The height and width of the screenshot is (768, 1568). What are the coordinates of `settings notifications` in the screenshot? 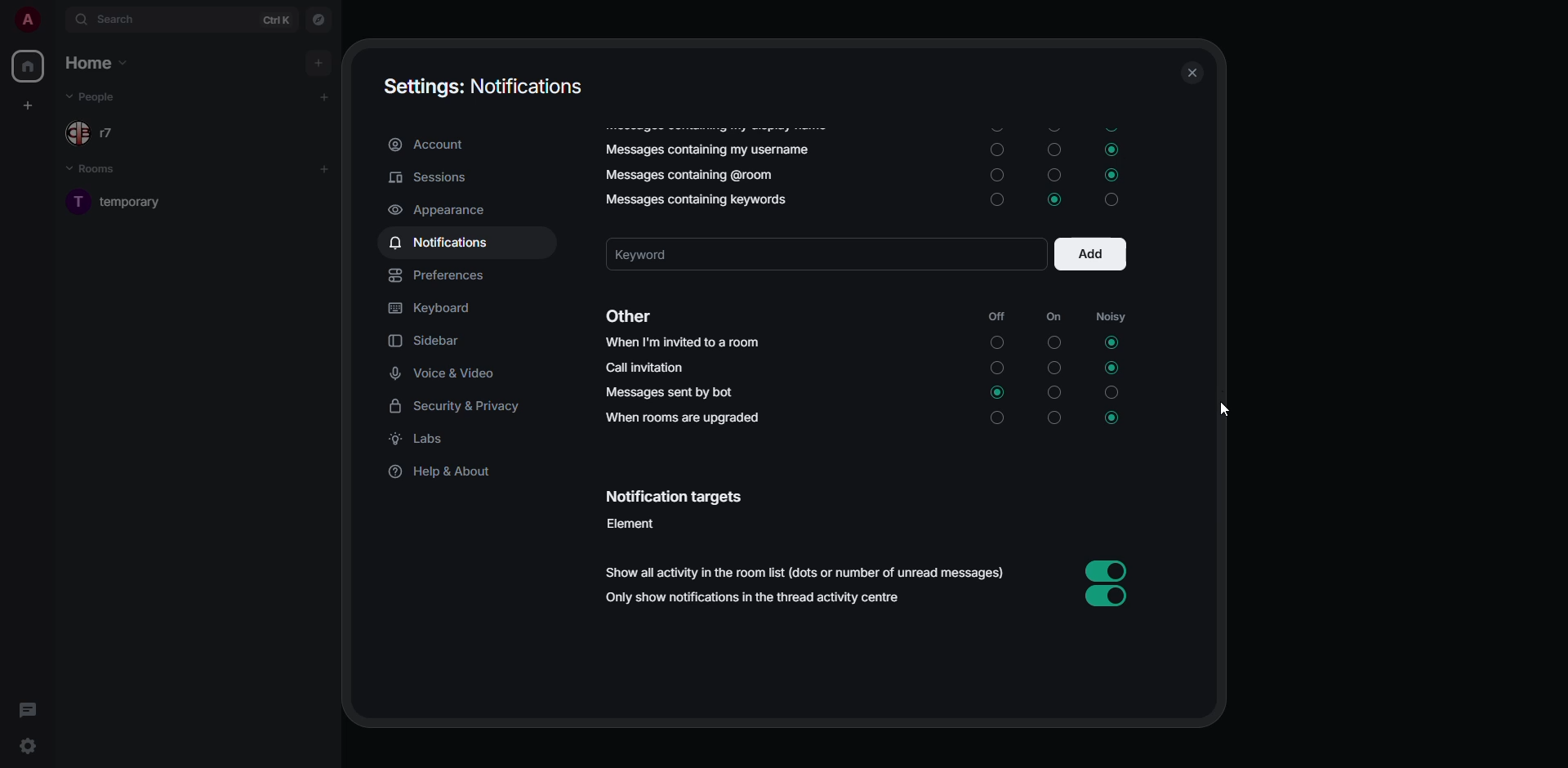 It's located at (485, 86).